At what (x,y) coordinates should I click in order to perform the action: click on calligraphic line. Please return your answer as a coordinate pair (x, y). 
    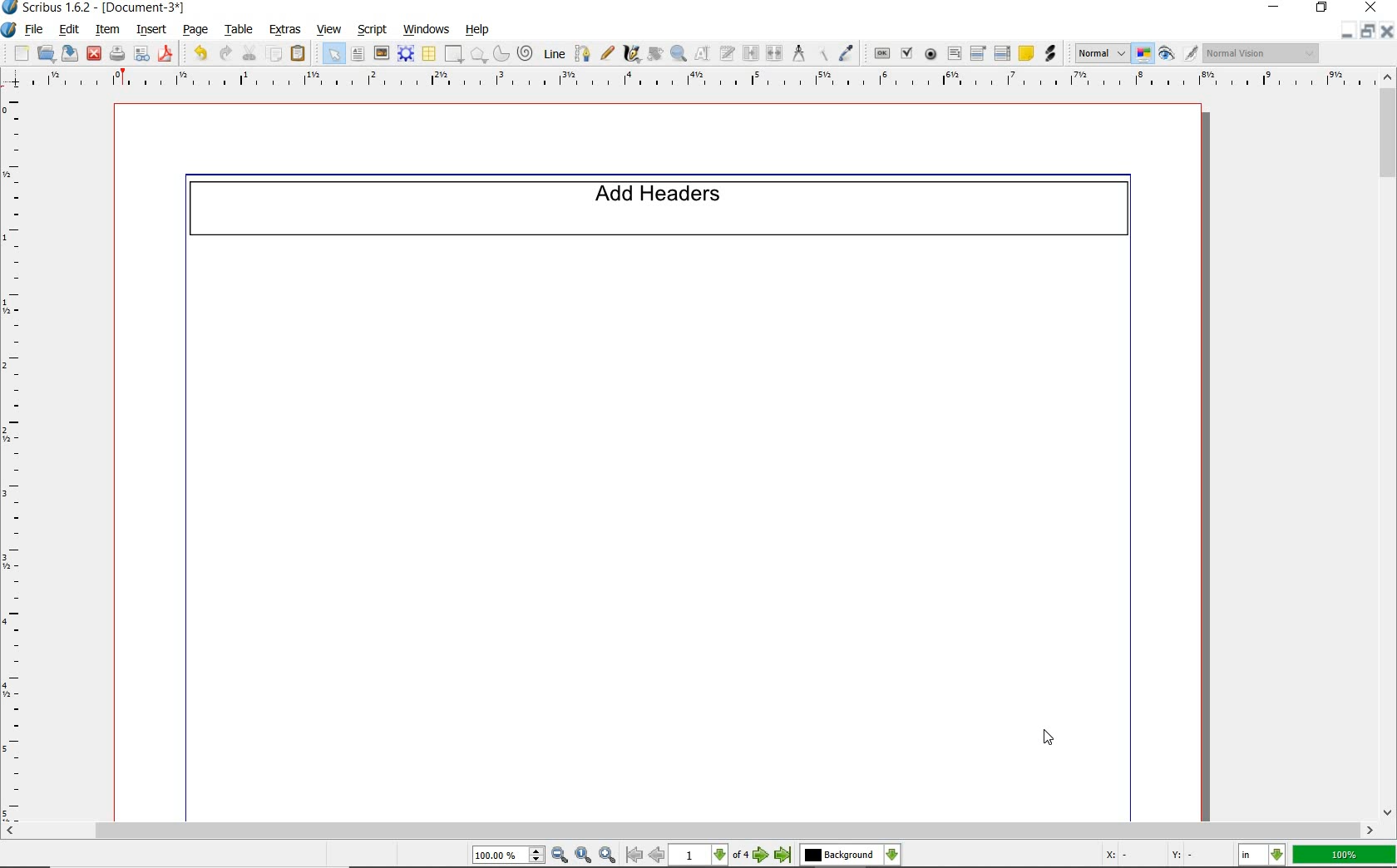
    Looking at the image, I should click on (634, 54).